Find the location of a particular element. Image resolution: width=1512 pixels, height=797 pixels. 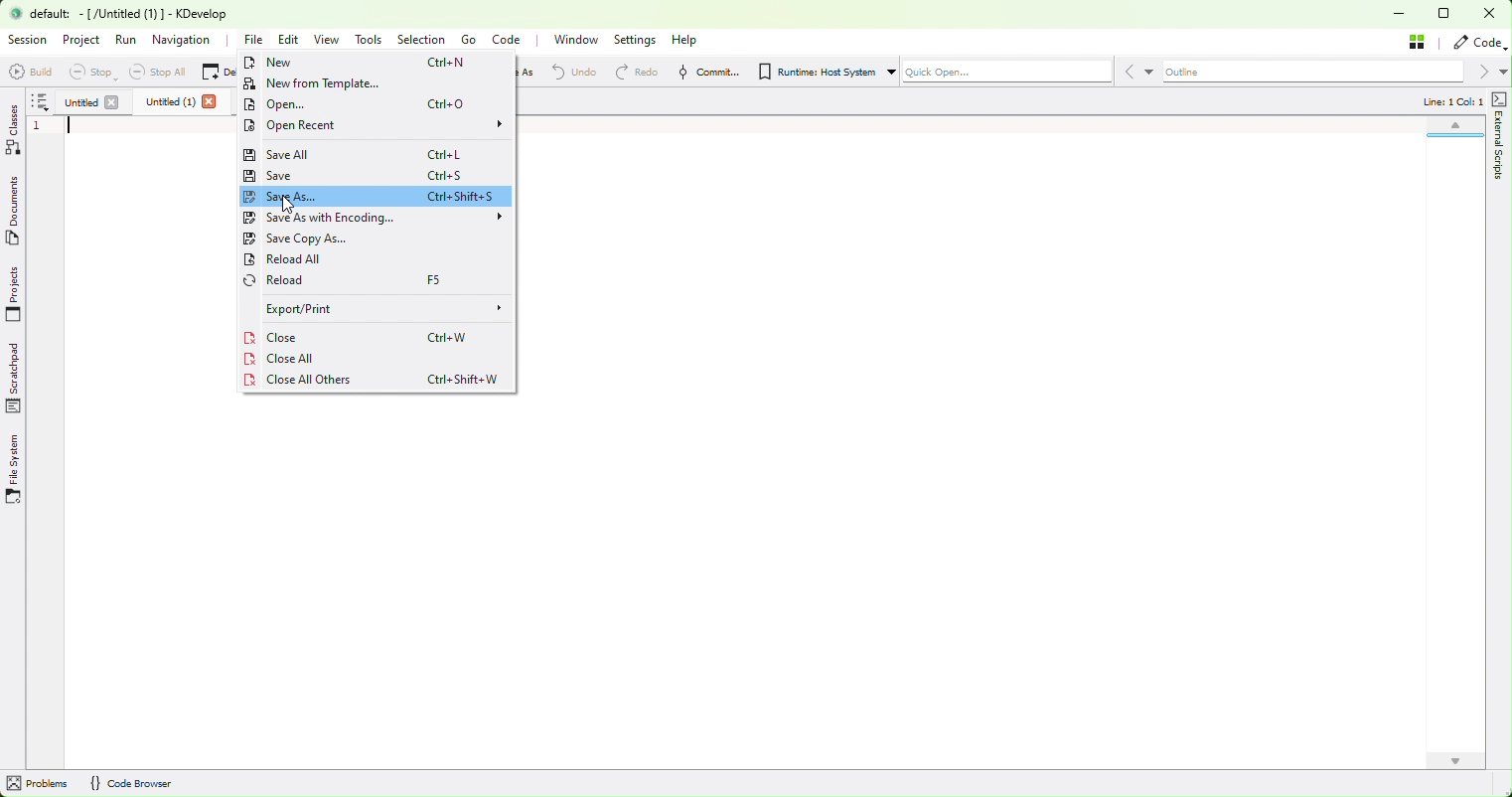

untitled is located at coordinates (80, 101).